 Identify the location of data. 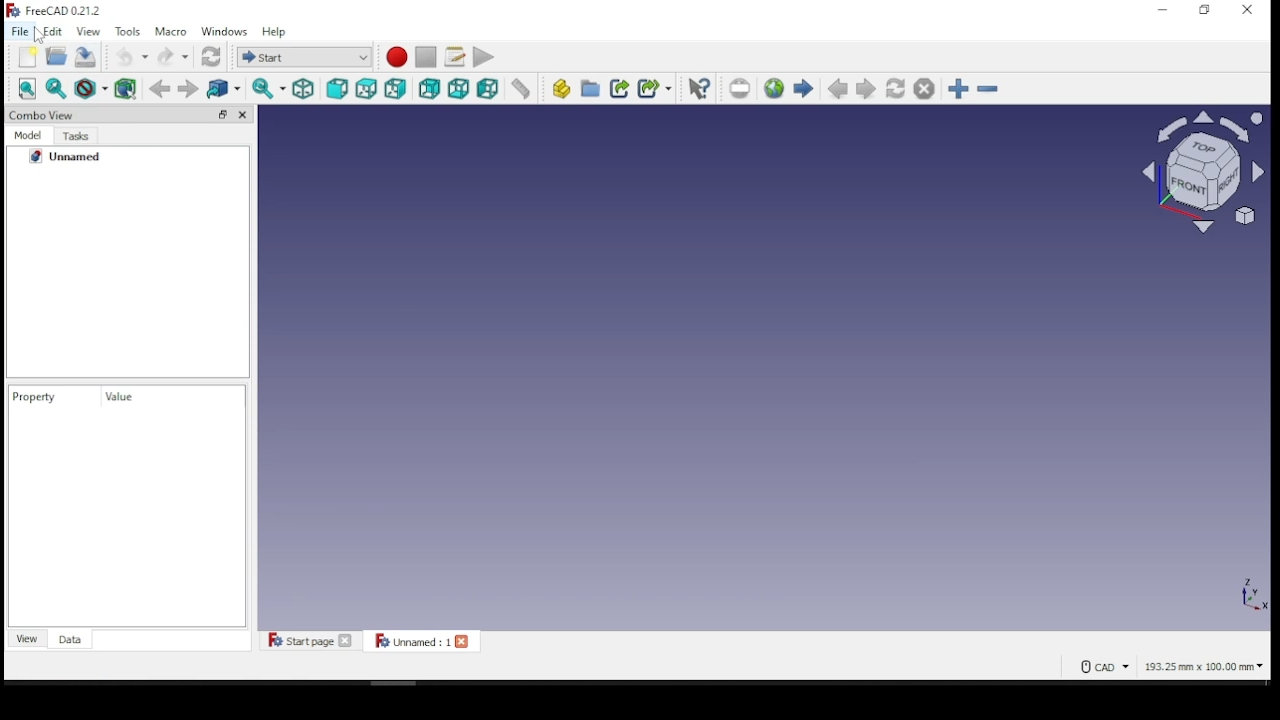
(69, 639).